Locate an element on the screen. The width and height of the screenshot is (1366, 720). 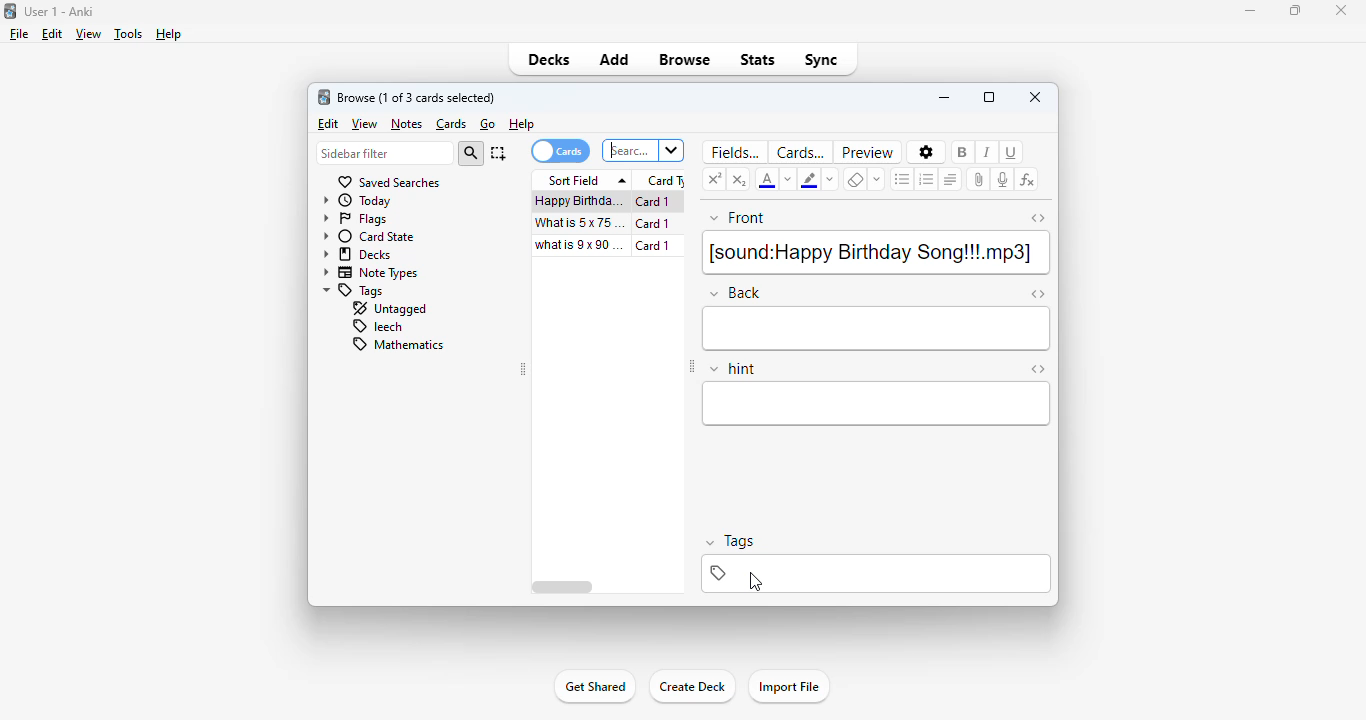
mathematics is located at coordinates (396, 344).